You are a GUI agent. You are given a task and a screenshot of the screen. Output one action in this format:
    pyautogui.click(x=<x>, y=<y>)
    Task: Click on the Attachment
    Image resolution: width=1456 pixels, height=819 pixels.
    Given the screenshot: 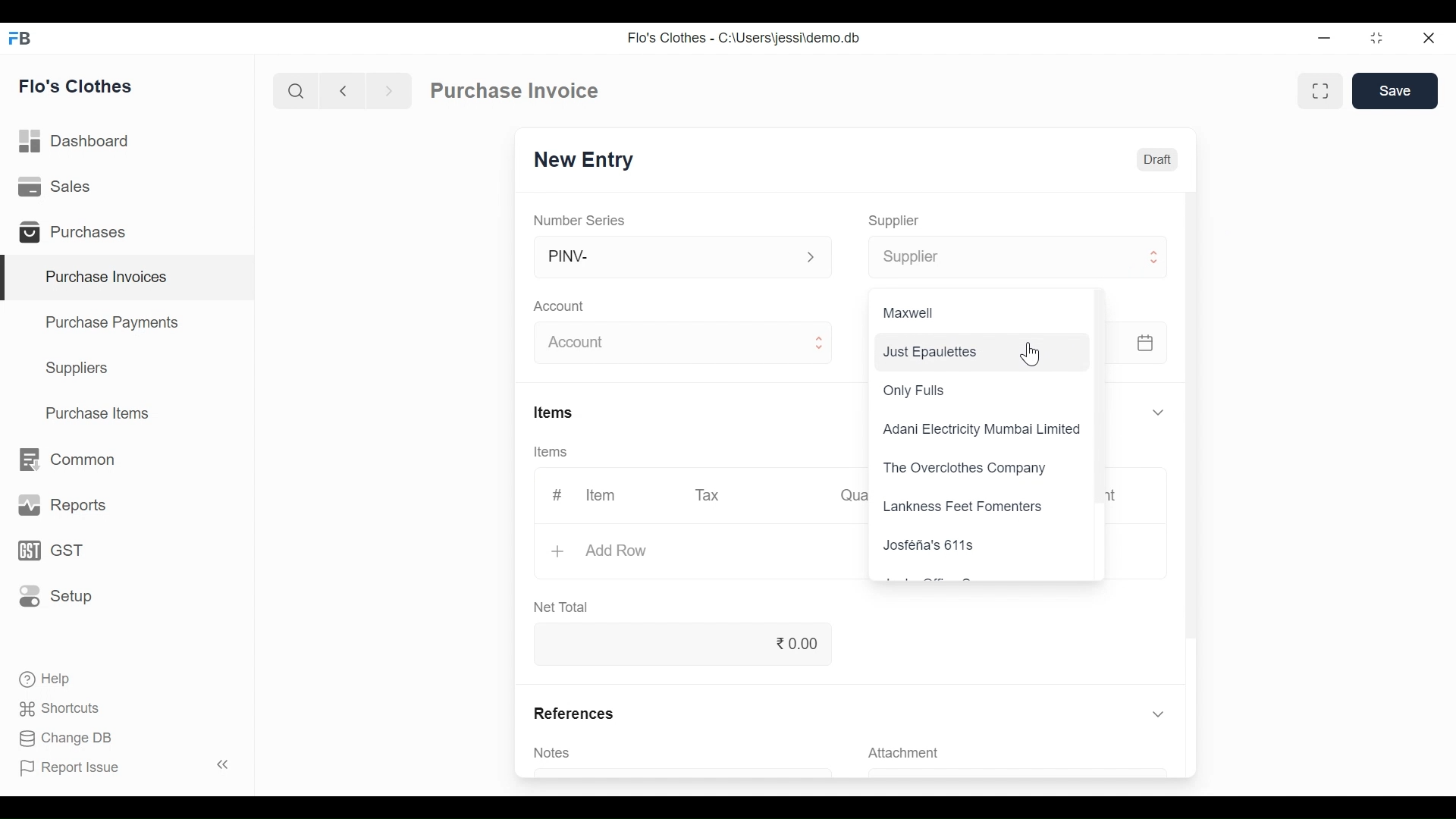 What is the action you would take?
    pyautogui.click(x=906, y=752)
    